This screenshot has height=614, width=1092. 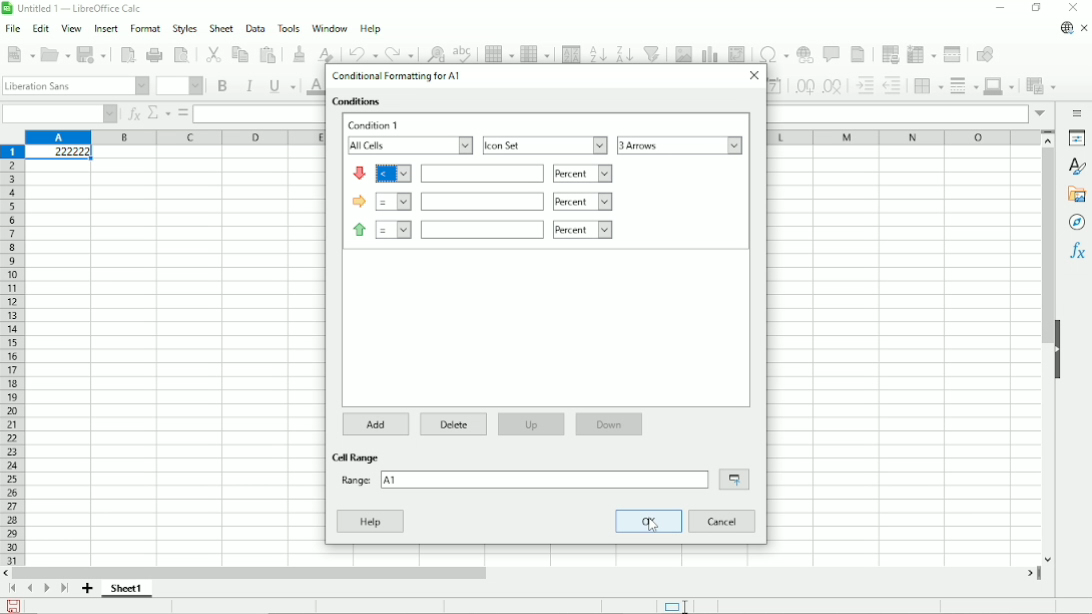 I want to click on Down, so click(x=609, y=424).